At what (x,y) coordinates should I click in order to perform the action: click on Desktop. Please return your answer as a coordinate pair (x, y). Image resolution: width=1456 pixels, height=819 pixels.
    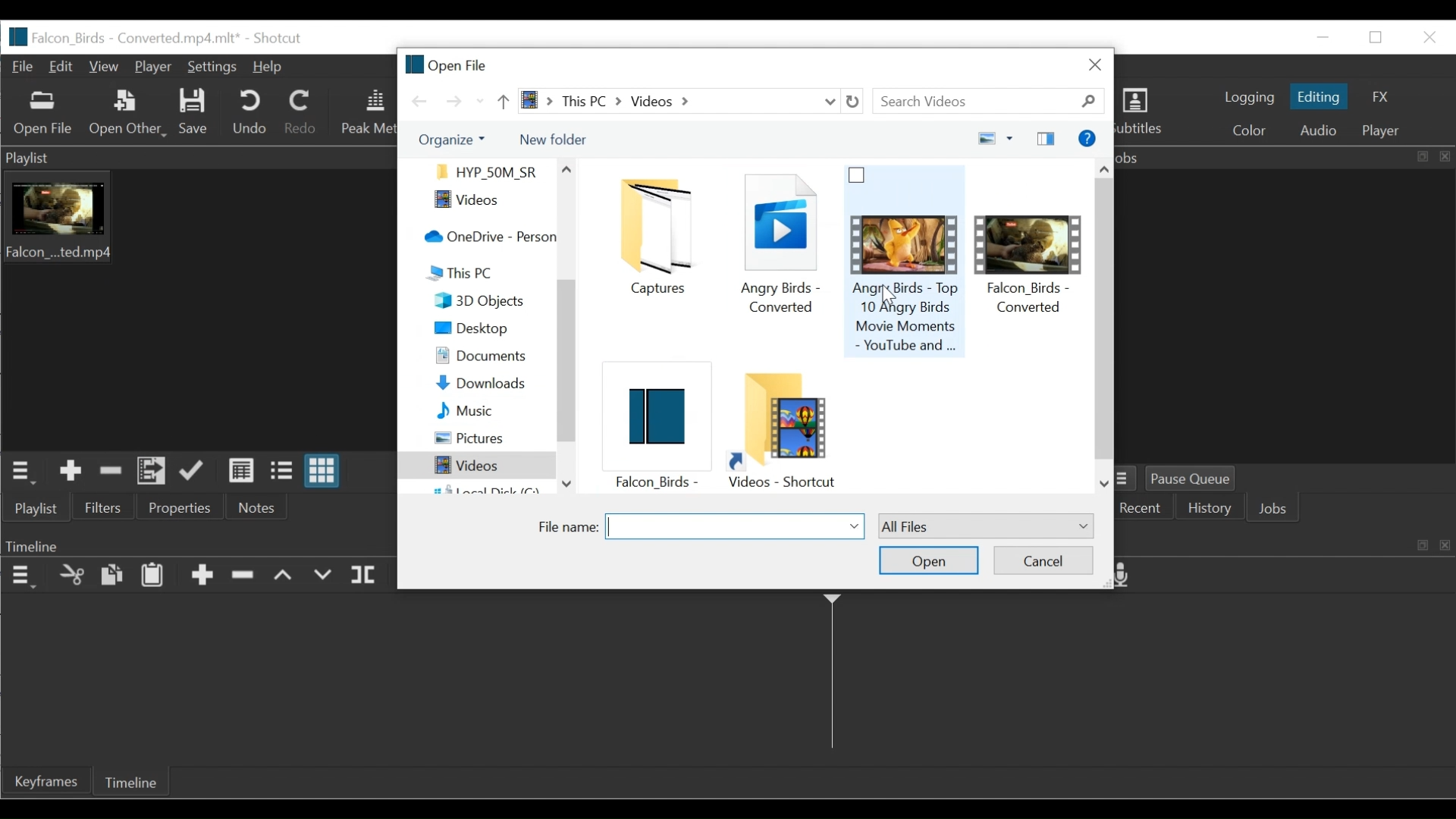
    Looking at the image, I should click on (480, 330).